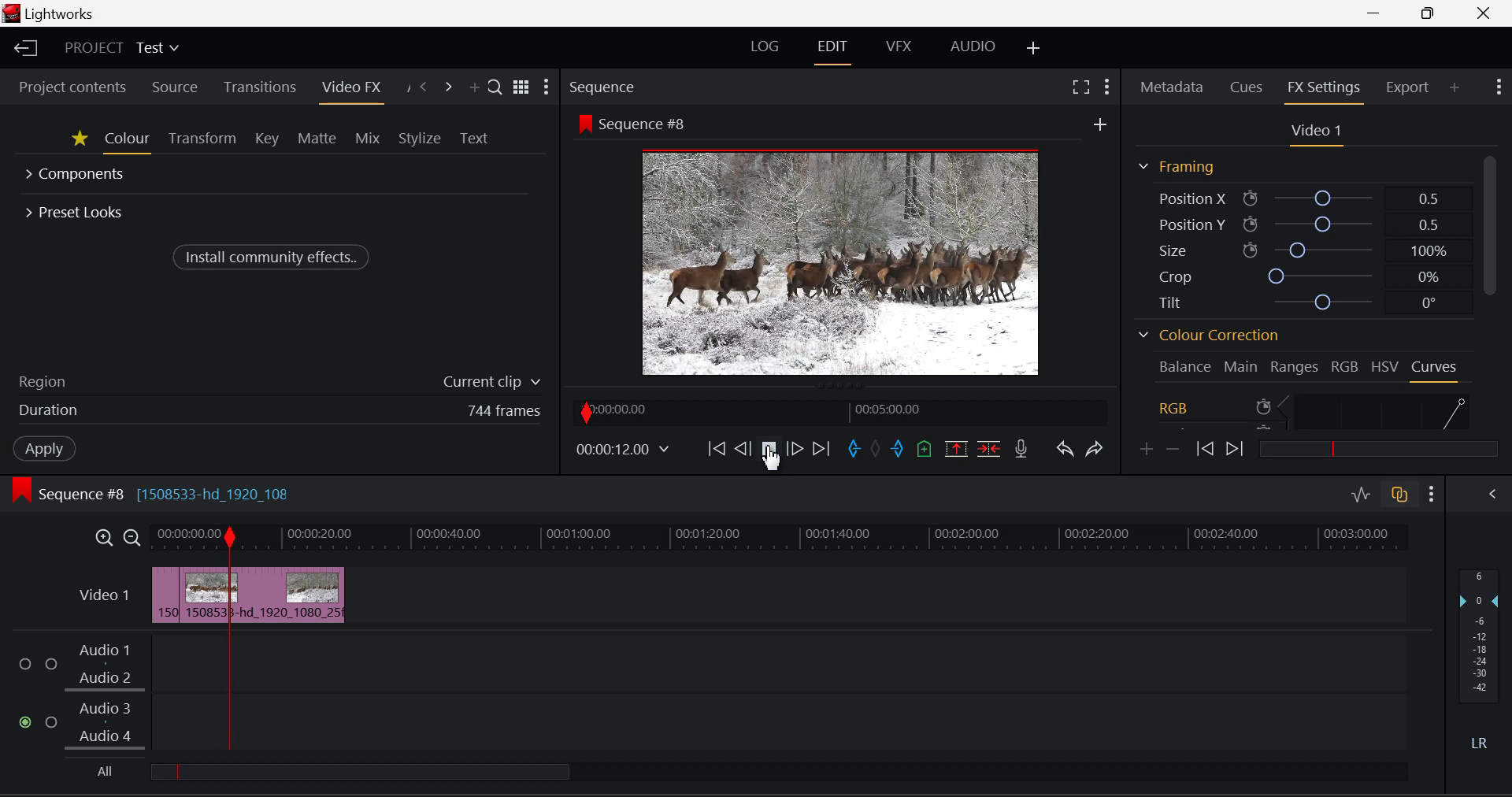  What do you see at coordinates (265, 140) in the screenshot?
I see `Key` at bounding box center [265, 140].